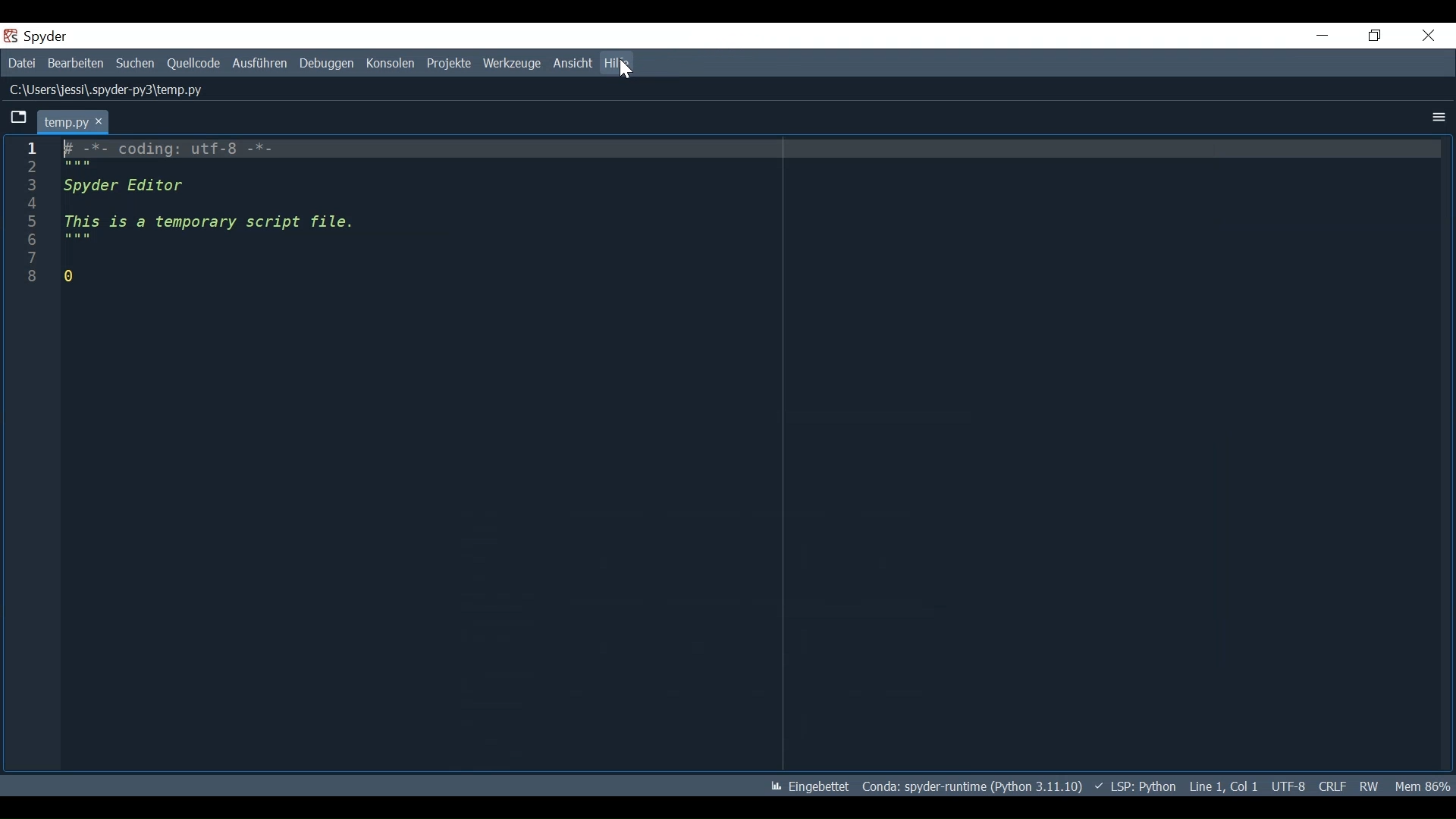 The width and height of the screenshot is (1456, 819). What do you see at coordinates (108, 89) in the screenshot?
I see `C:\Users\jess\.spyder-py3\temp.py` at bounding box center [108, 89].